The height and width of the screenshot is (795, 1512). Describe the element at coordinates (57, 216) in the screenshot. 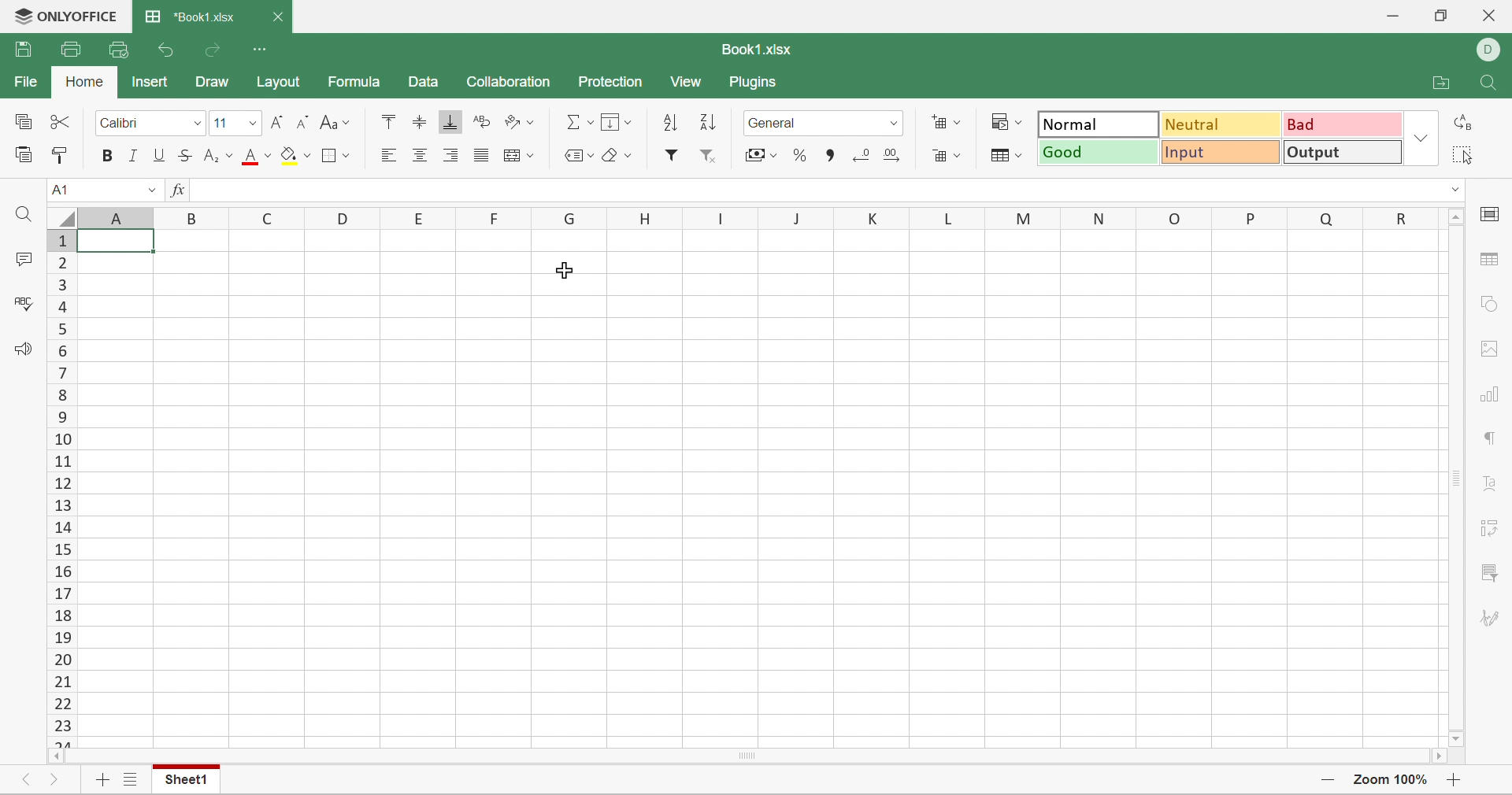

I see `Select all rows and columns` at that location.